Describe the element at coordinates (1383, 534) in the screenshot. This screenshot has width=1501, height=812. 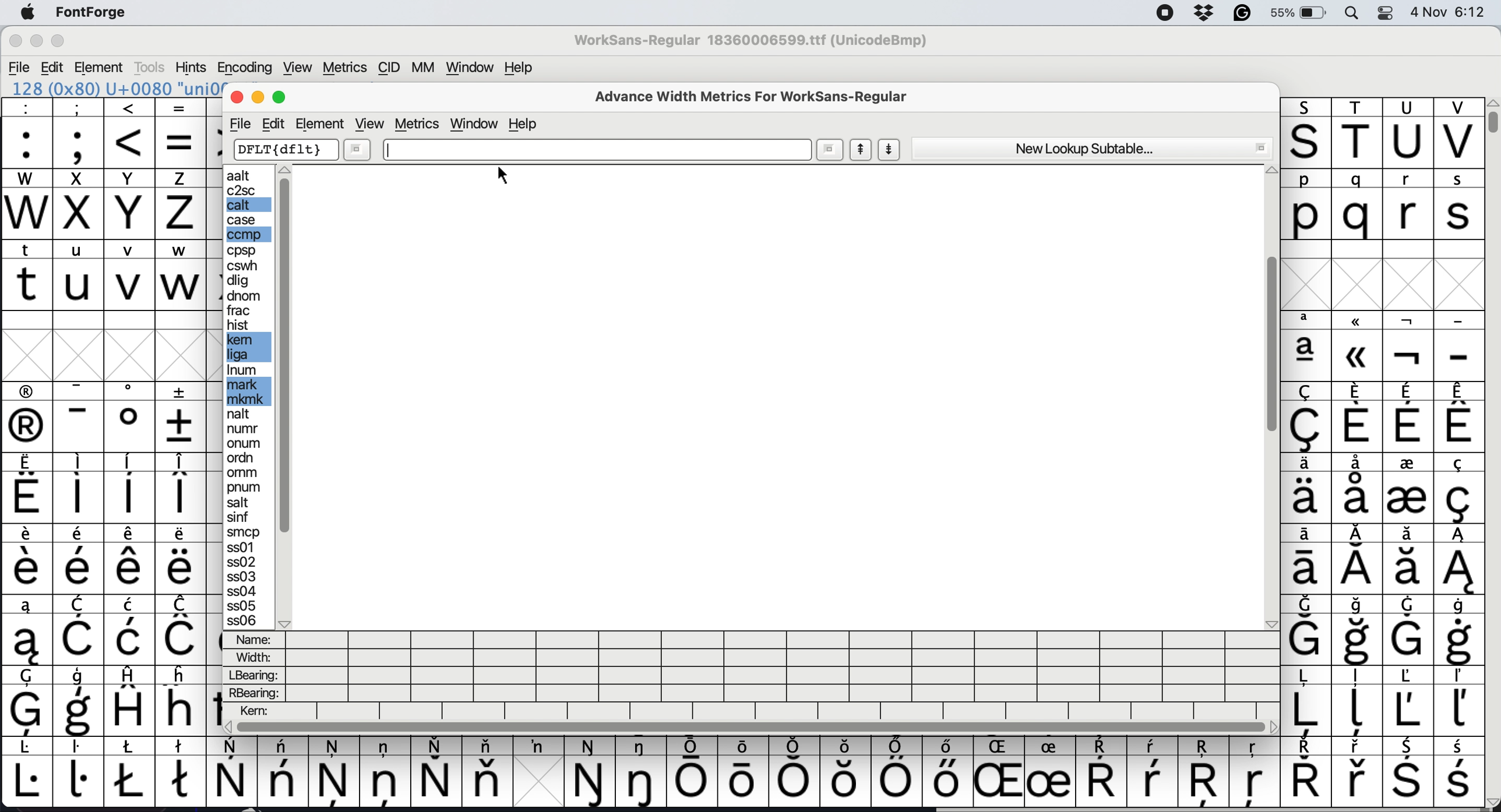
I see `special characters` at that location.